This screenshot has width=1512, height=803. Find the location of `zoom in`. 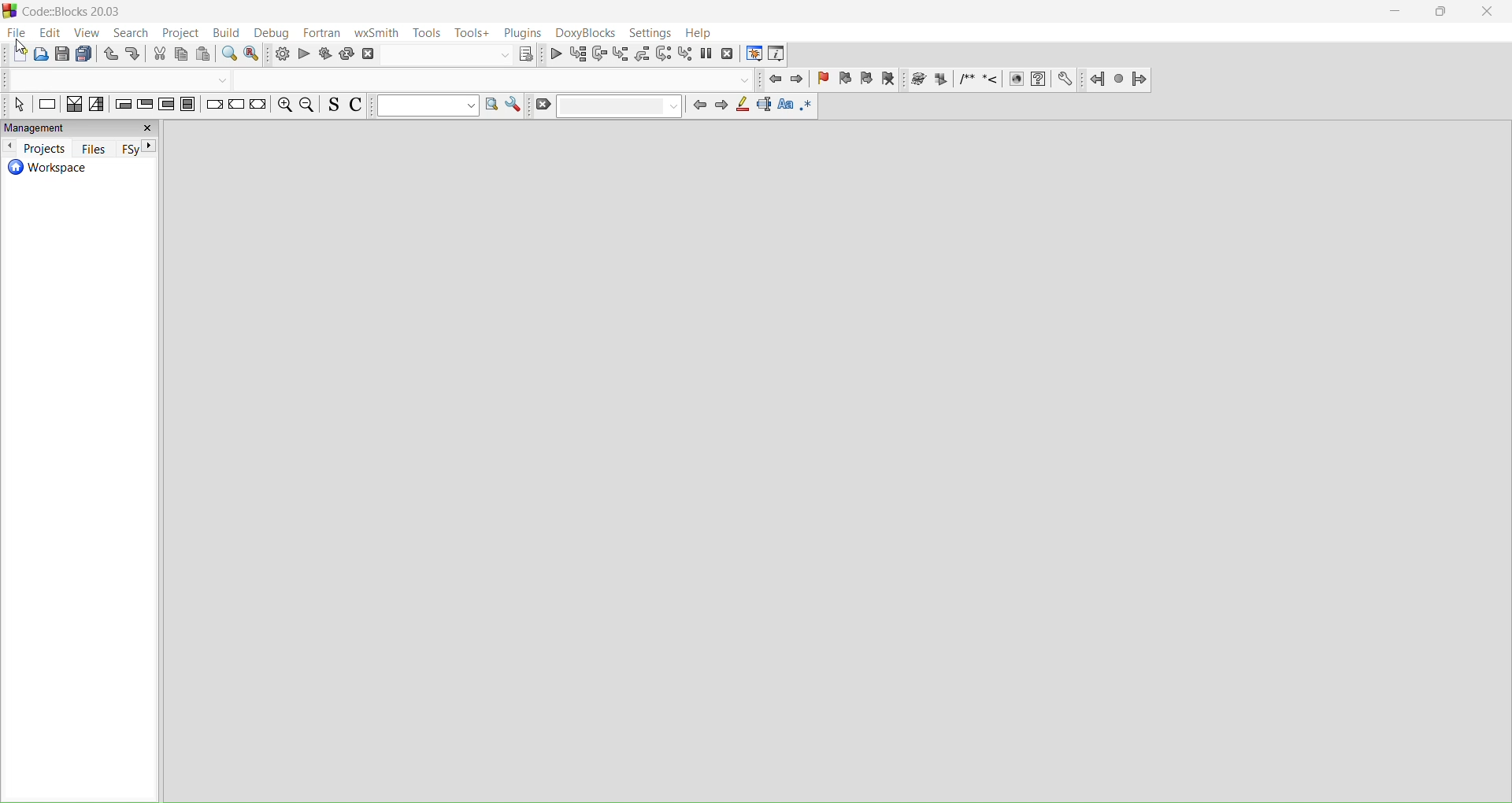

zoom in is located at coordinates (284, 108).